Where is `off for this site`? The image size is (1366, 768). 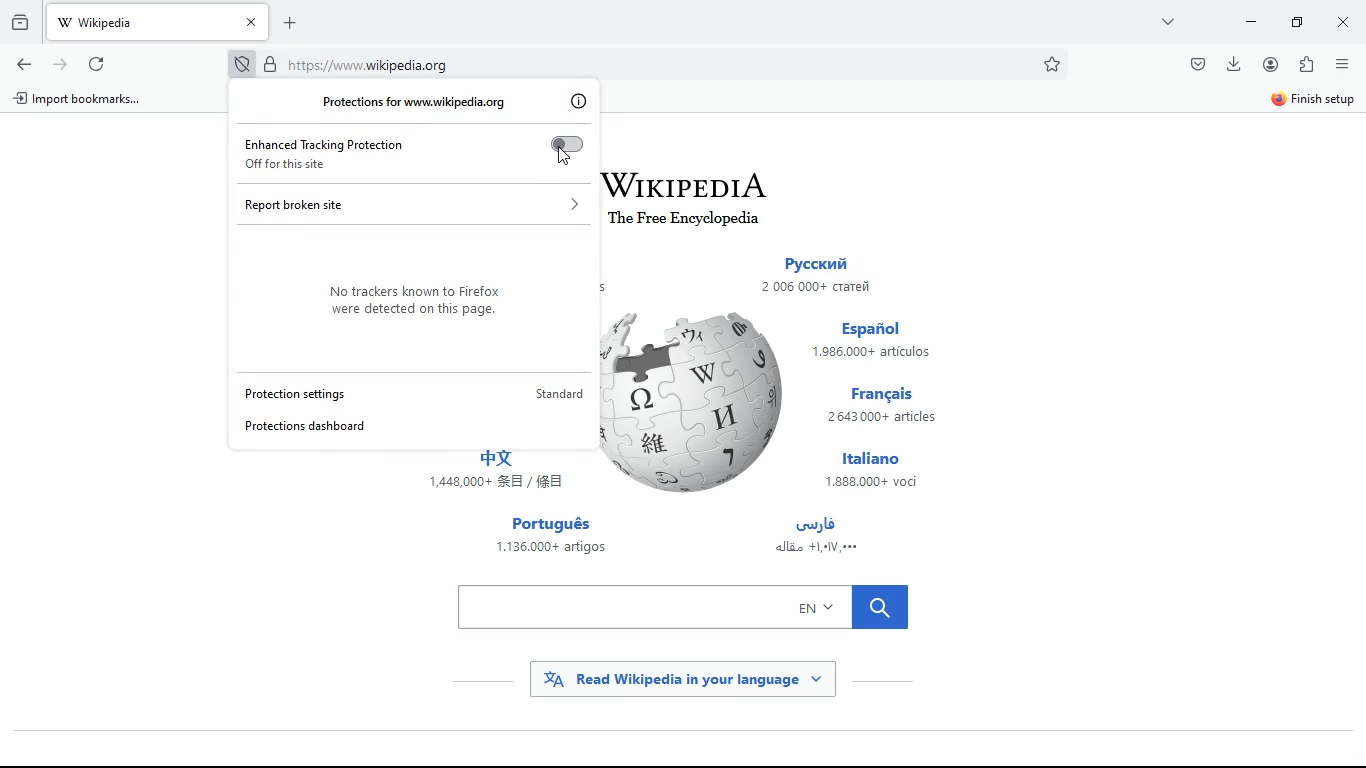 off for this site is located at coordinates (293, 166).